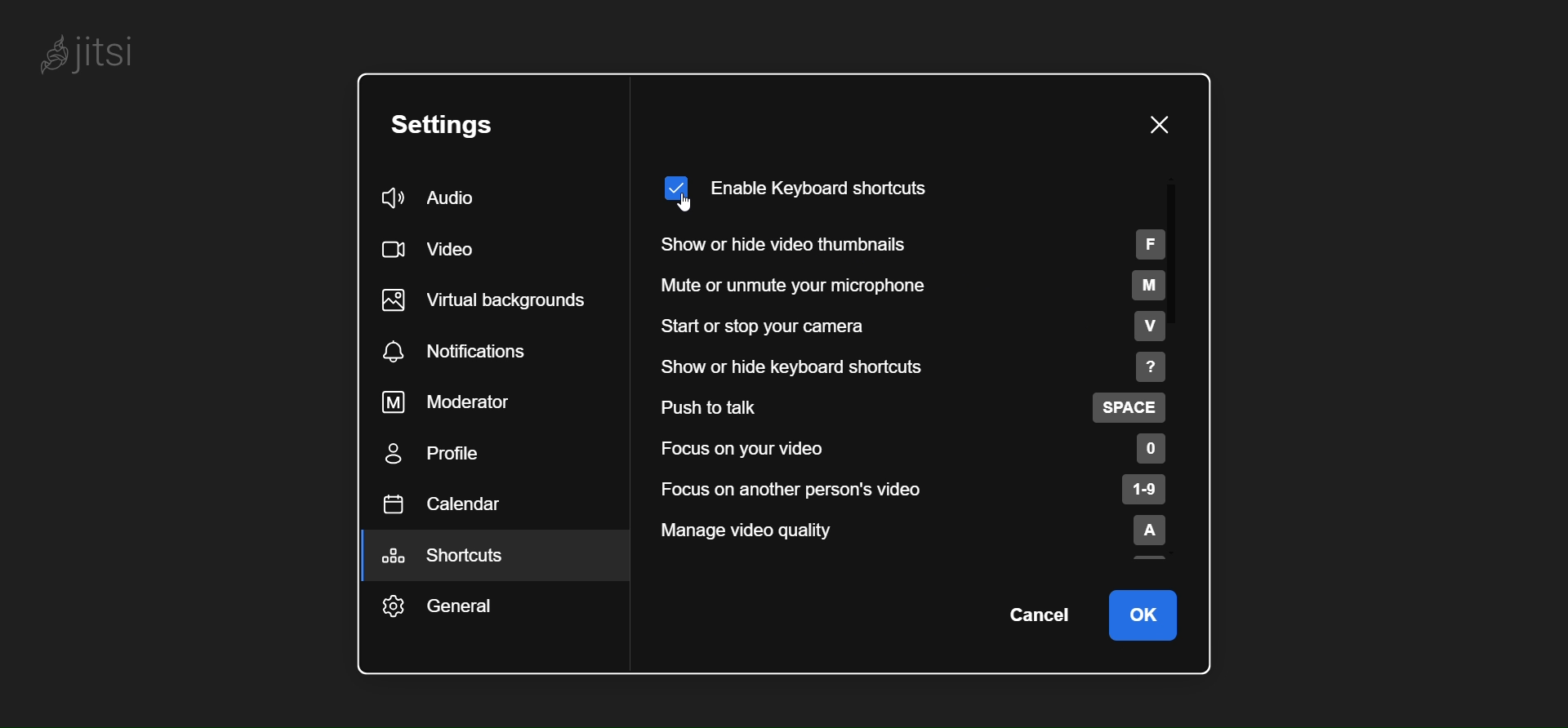 This screenshot has width=1568, height=728. I want to click on start or stop your camera, so click(926, 324).